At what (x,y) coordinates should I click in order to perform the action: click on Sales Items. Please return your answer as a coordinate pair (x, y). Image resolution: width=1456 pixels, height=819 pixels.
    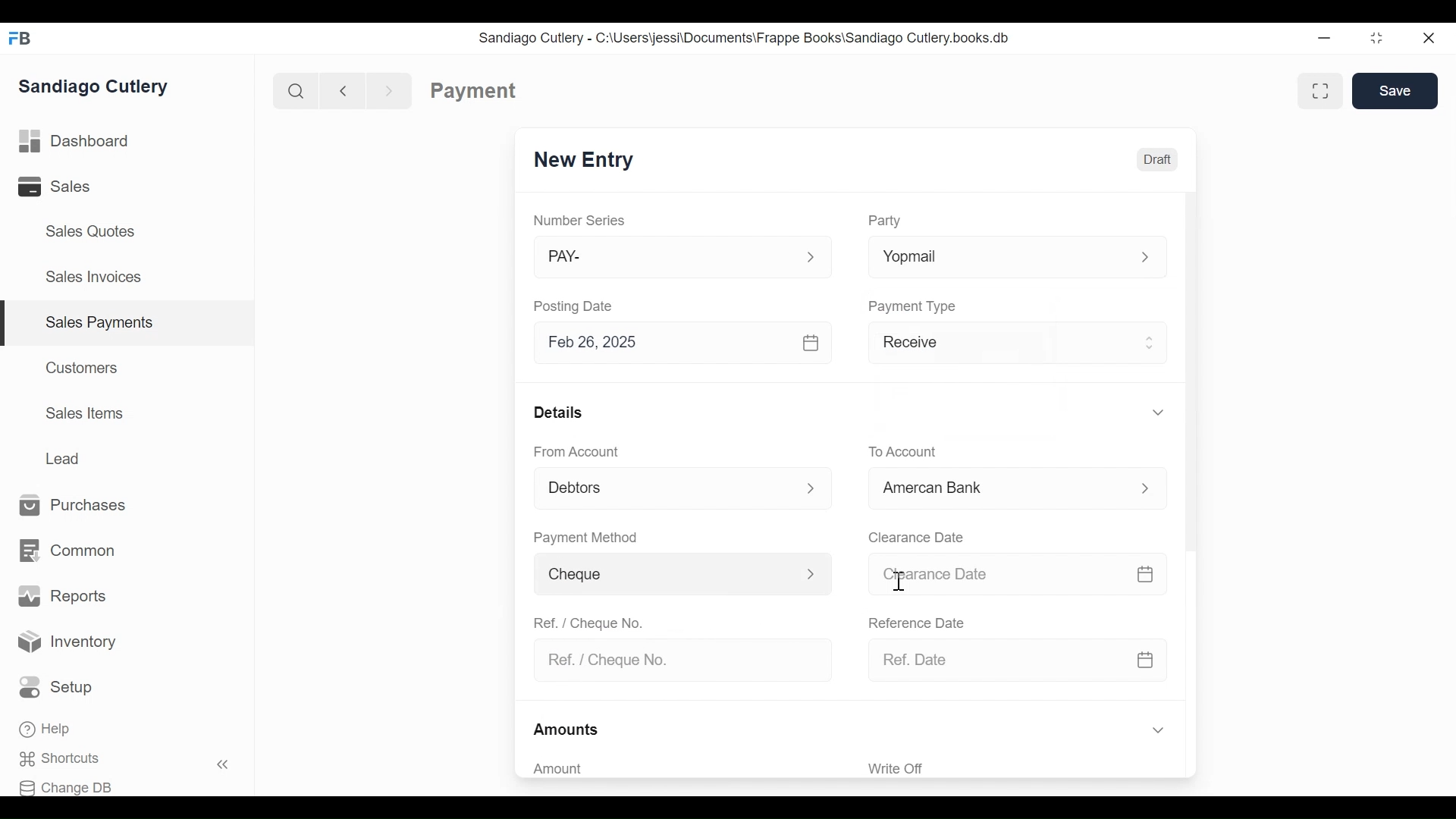
    Looking at the image, I should click on (85, 413).